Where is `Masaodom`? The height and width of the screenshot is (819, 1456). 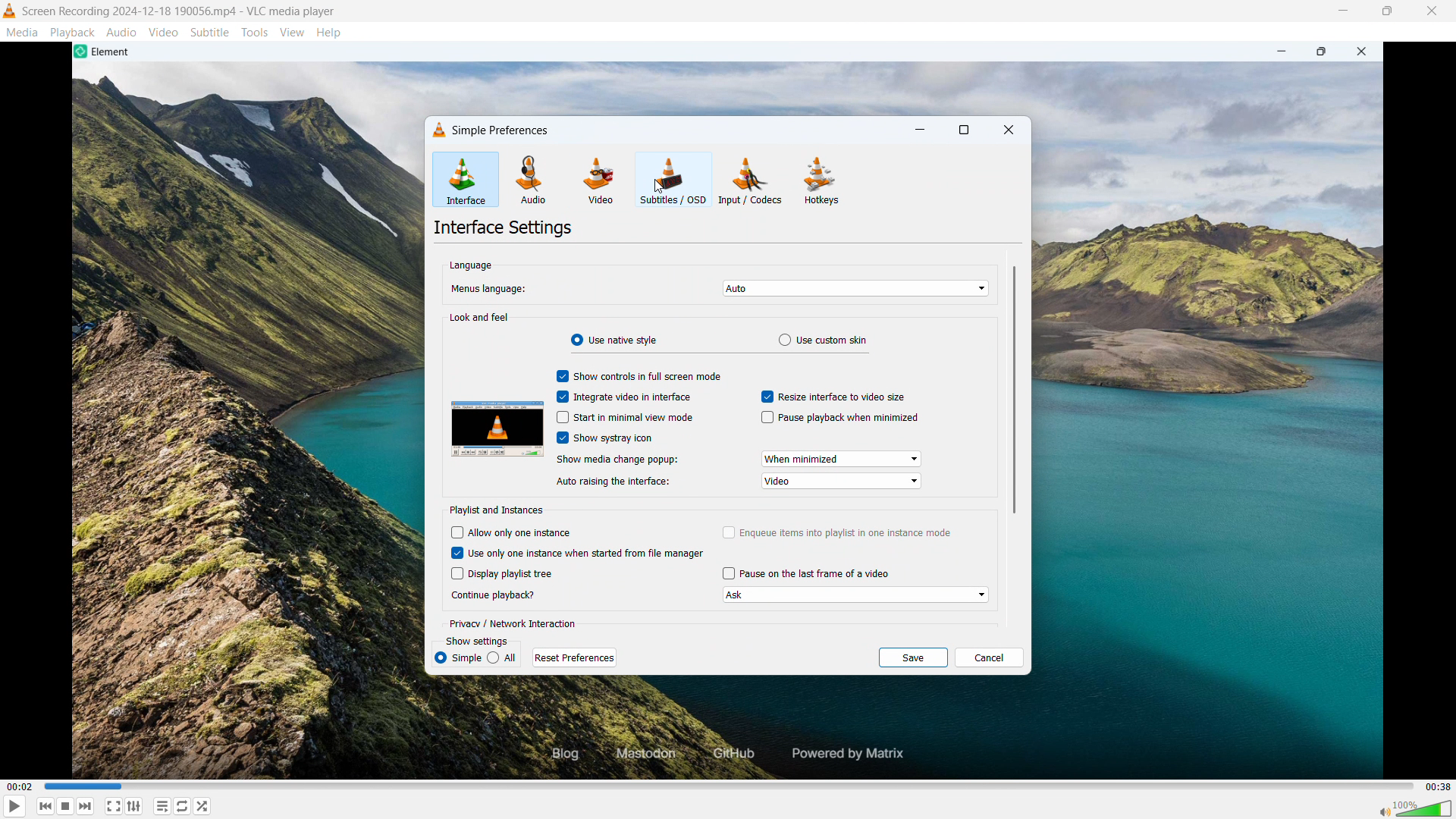
Masaodom is located at coordinates (649, 757).